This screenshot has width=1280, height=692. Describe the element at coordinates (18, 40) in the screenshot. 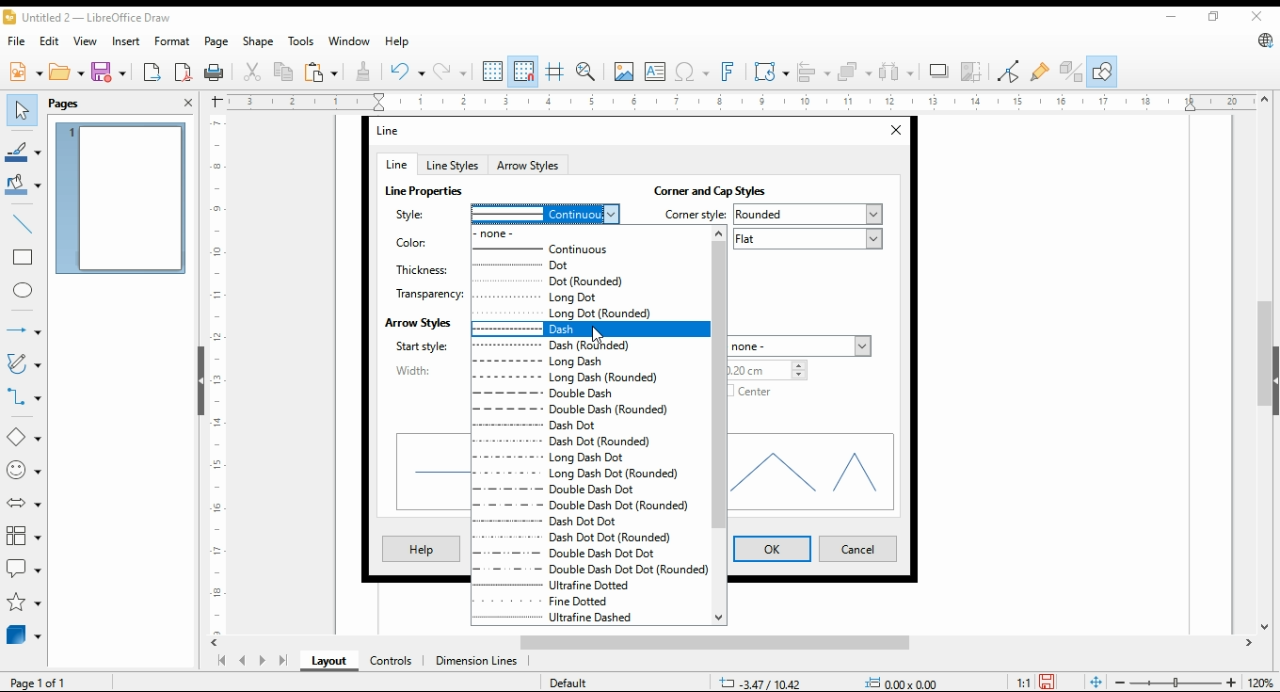

I see `file` at that location.